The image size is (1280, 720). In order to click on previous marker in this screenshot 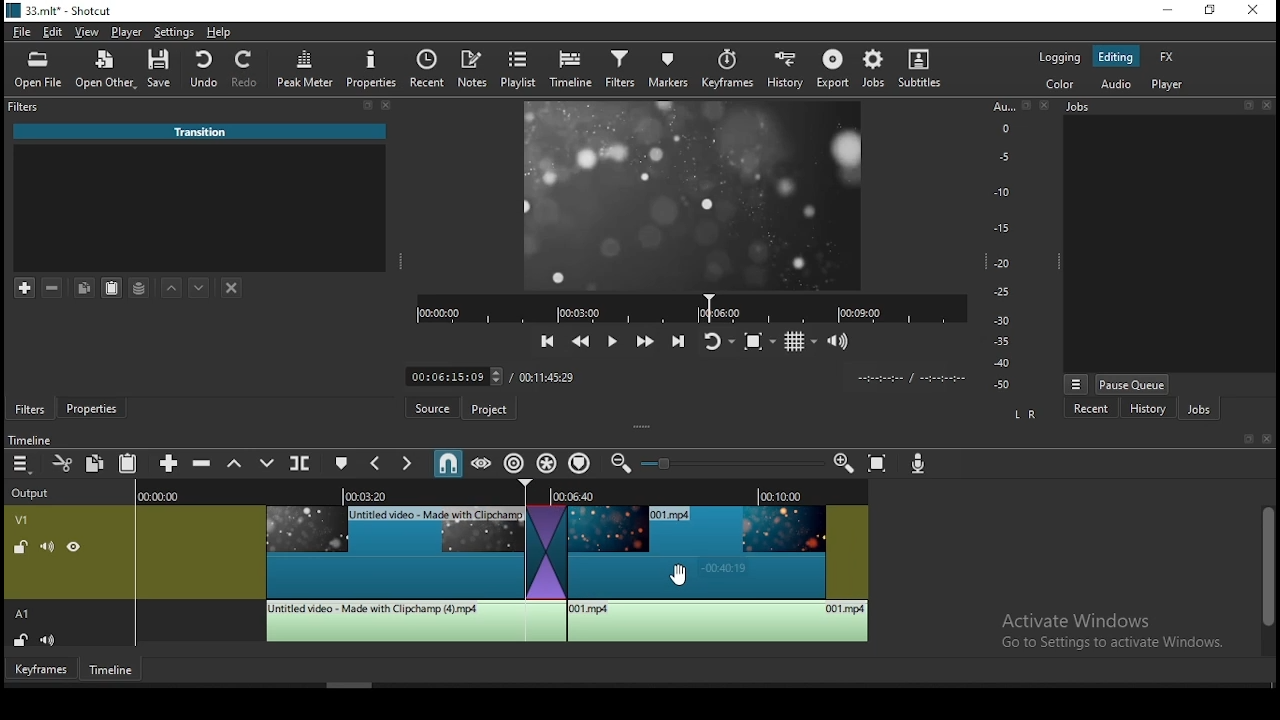, I will do `click(371, 463)`.